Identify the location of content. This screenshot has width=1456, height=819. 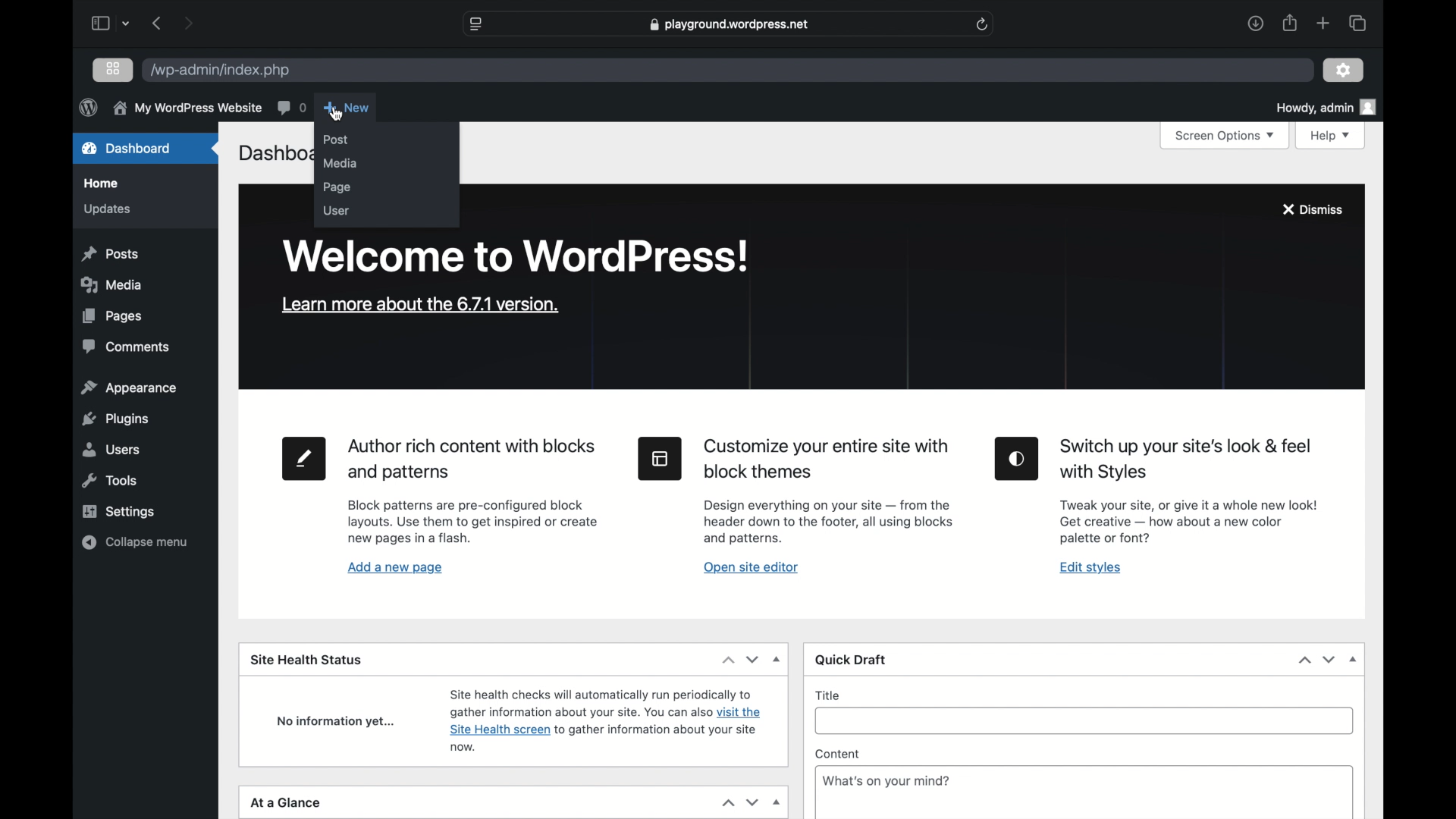
(837, 755).